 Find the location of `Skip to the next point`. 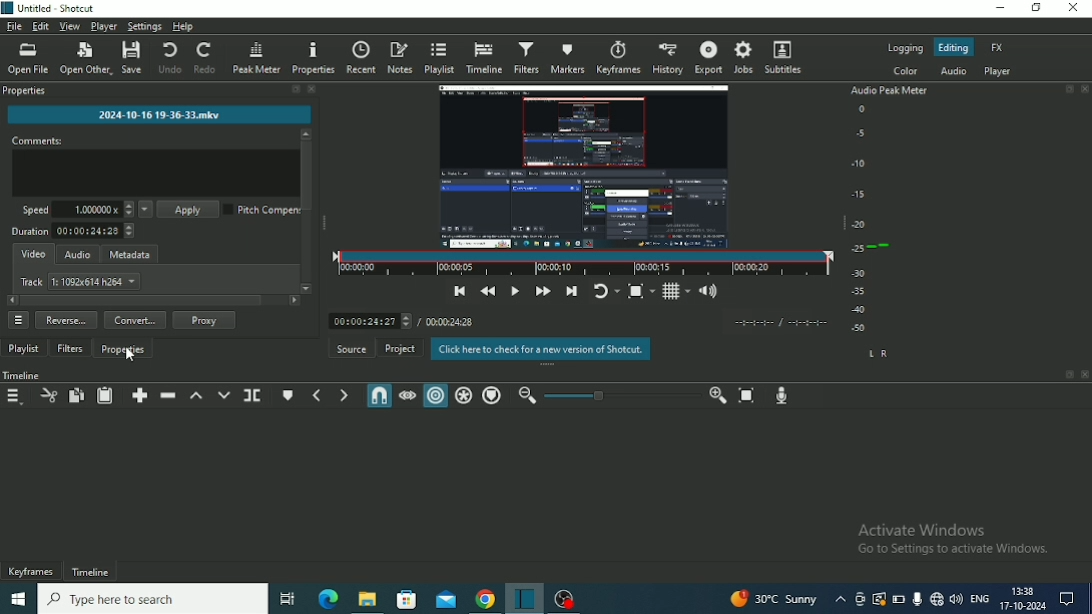

Skip to the next point is located at coordinates (571, 292).